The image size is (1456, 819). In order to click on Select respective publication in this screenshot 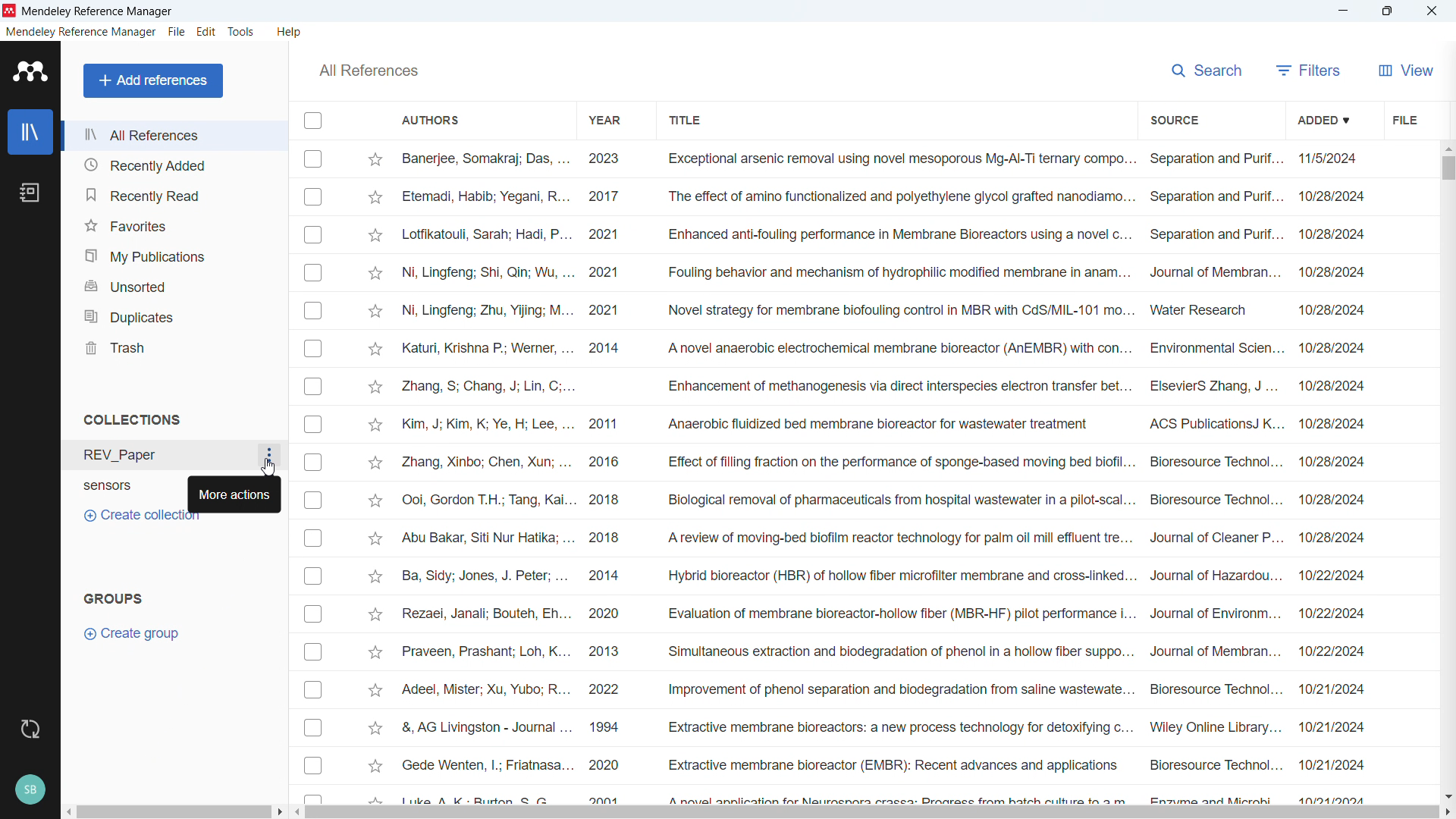, I will do `click(313, 500)`.